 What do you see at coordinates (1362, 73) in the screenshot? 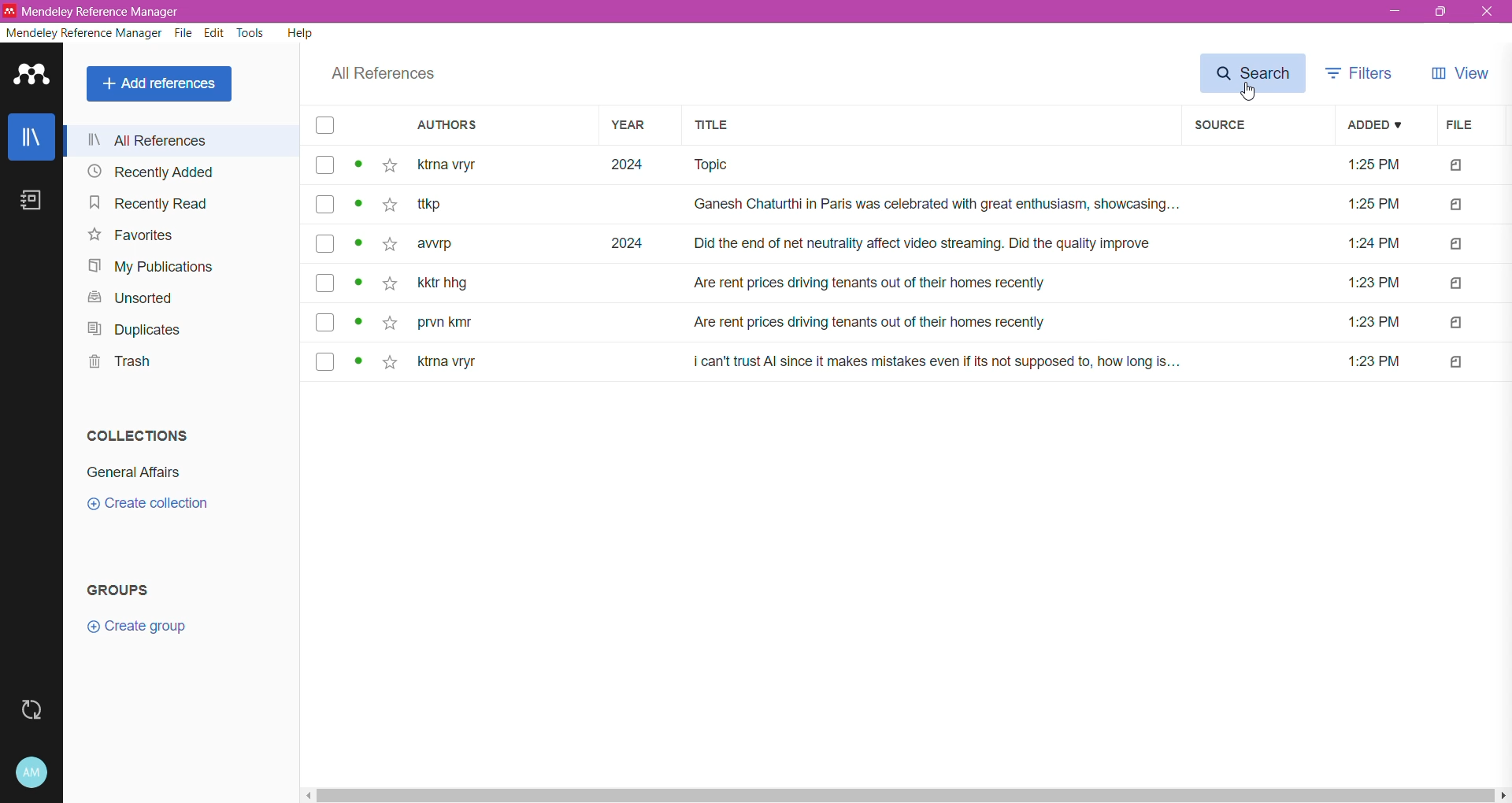
I see `Filters` at bounding box center [1362, 73].